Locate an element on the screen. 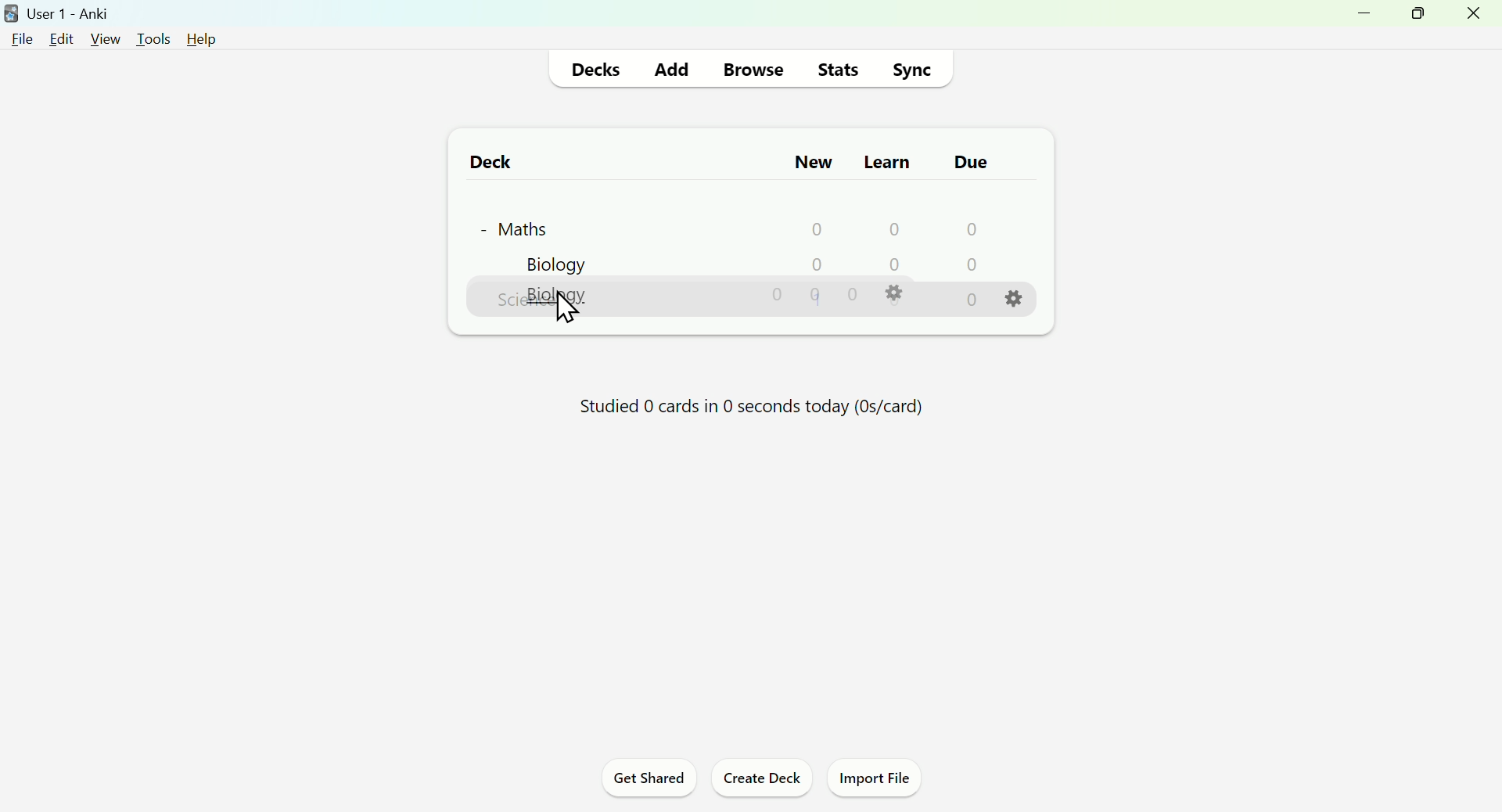 The width and height of the screenshot is (1502, 812). 0 is located at coordinates (888, 231).